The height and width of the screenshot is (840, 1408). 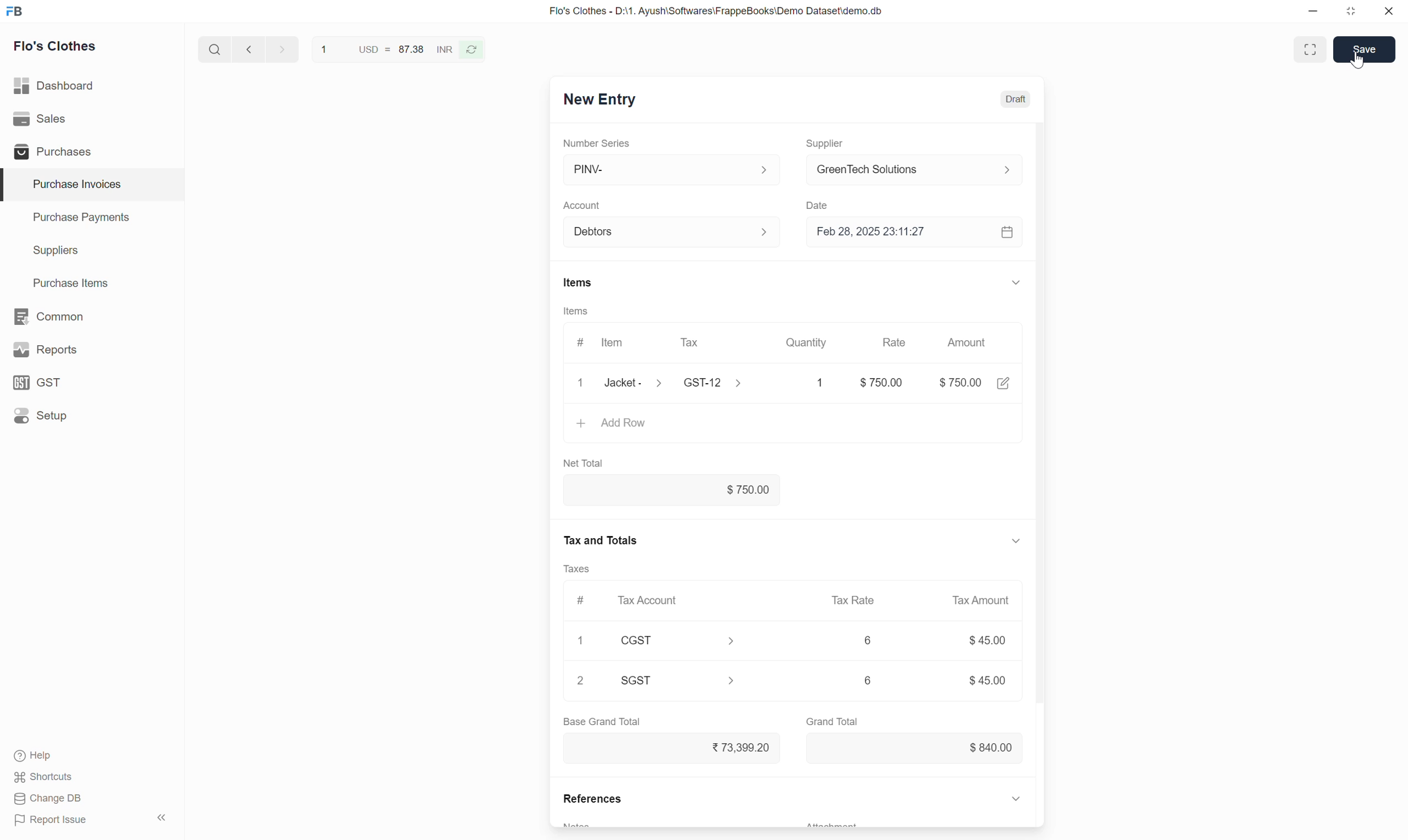 What do you see at coordinates (827, 144) in the screenshot?
I see `Supplier` at bounding box center [827, 144].